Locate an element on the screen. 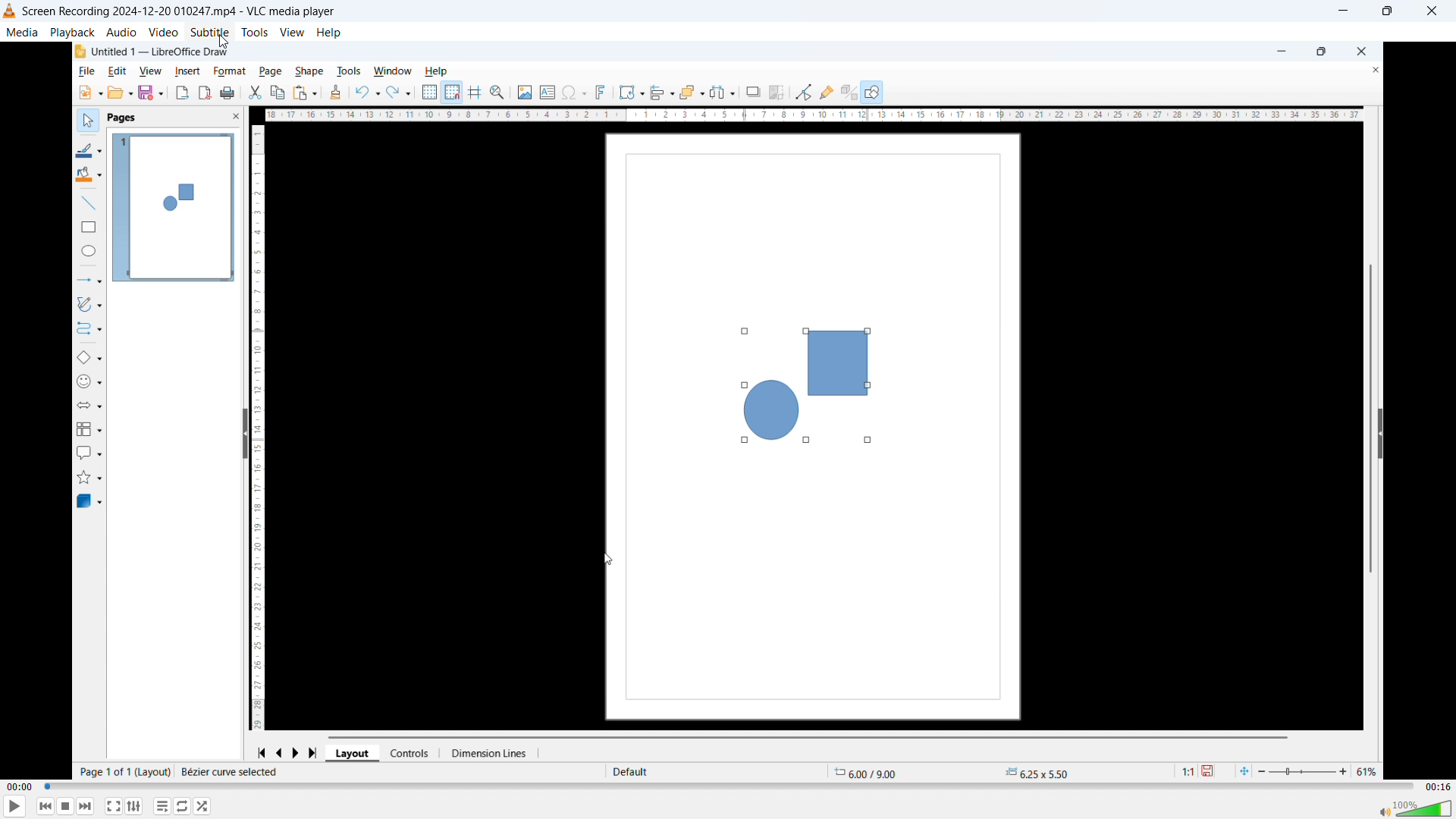 The height and width of the screenshot is (819, 1456). ruler is located at coordinates (262, 425).